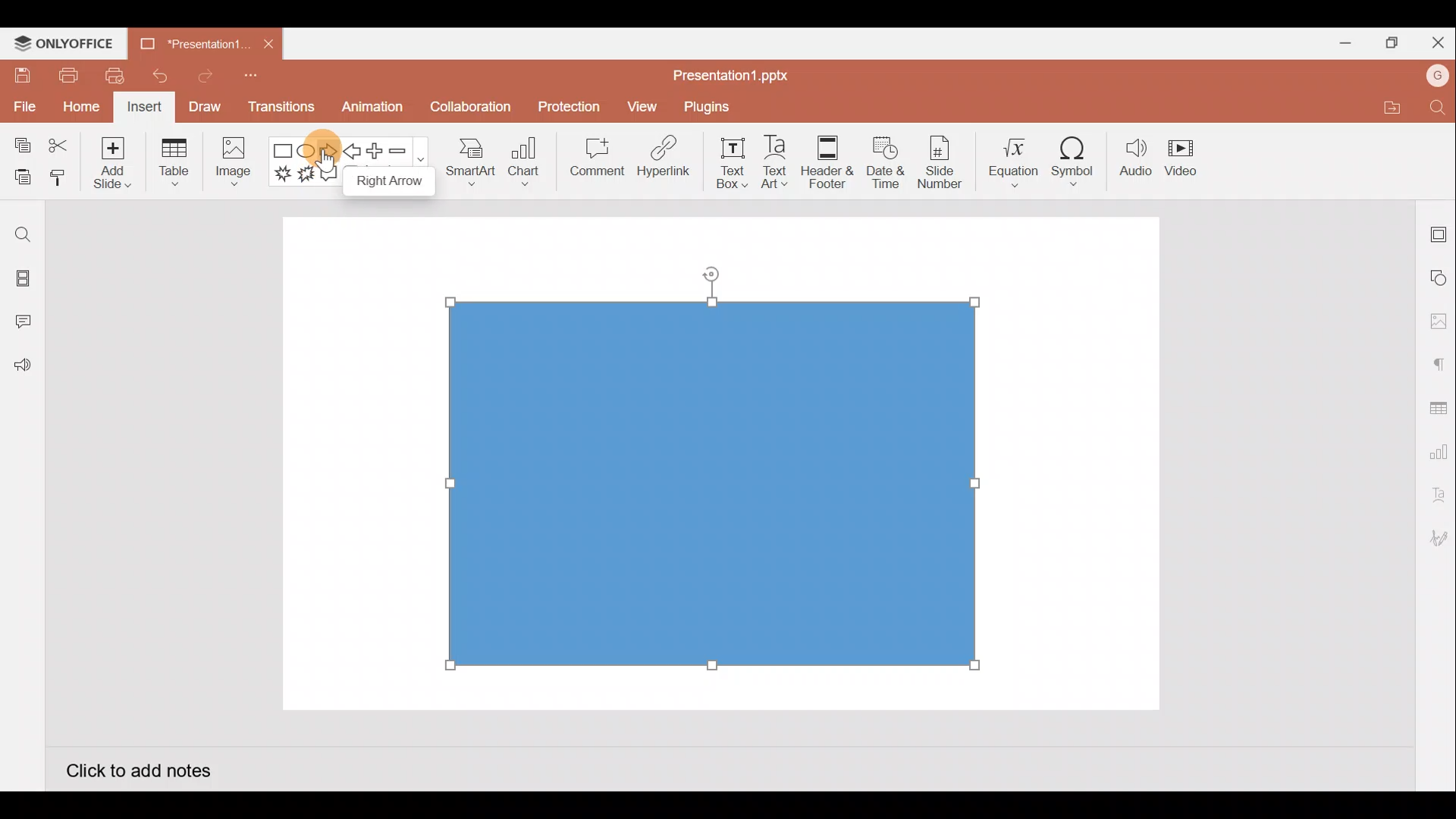 This screenshot has height=819, width=1456. What do you see at coordinates (332, 138) in the screenshot?
I see `Cursor on right arrow` at bounding box center [332, 138].